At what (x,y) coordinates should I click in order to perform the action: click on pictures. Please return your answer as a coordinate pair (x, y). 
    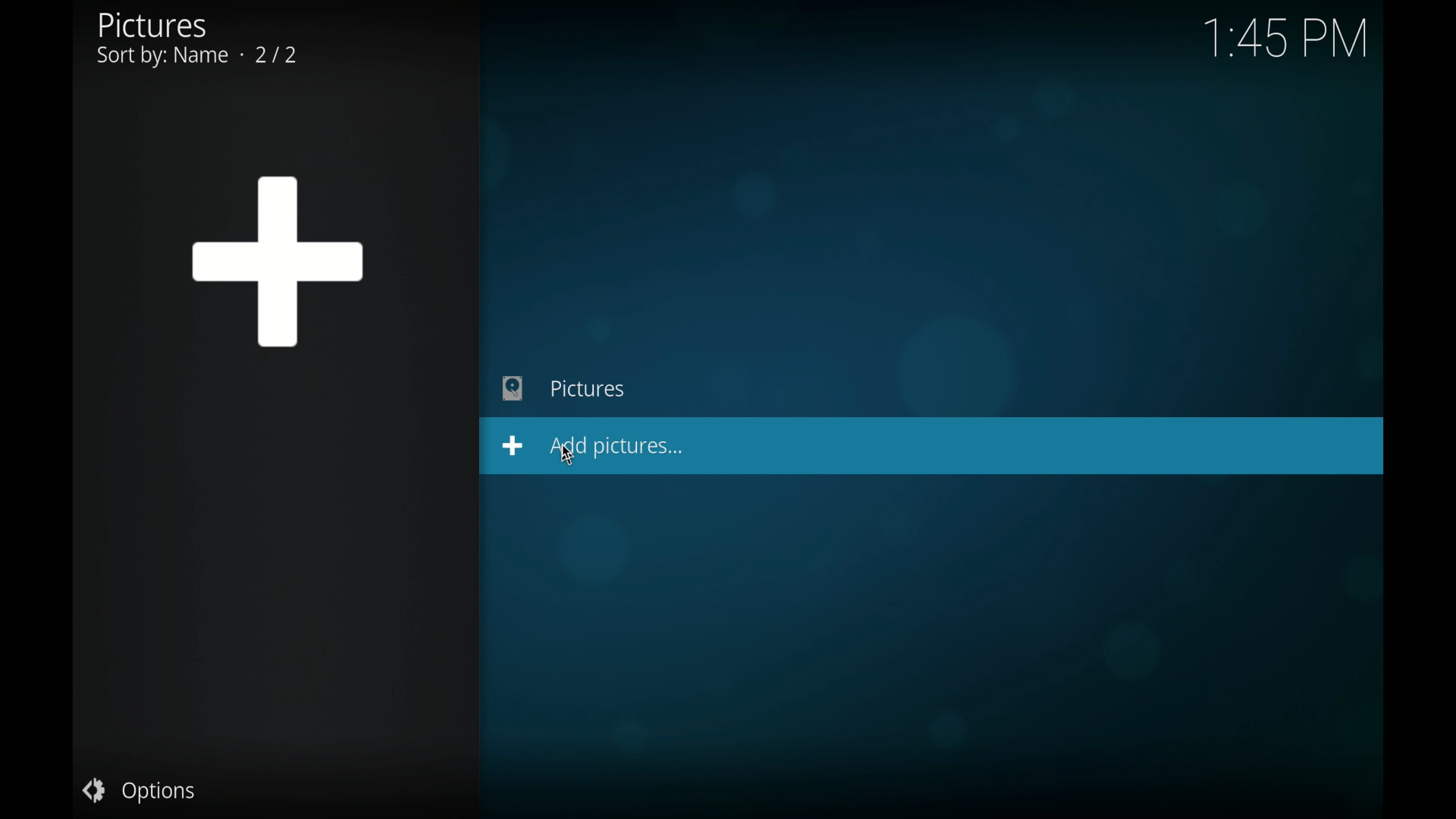
    Looking at the image, I should click on (196, 39).